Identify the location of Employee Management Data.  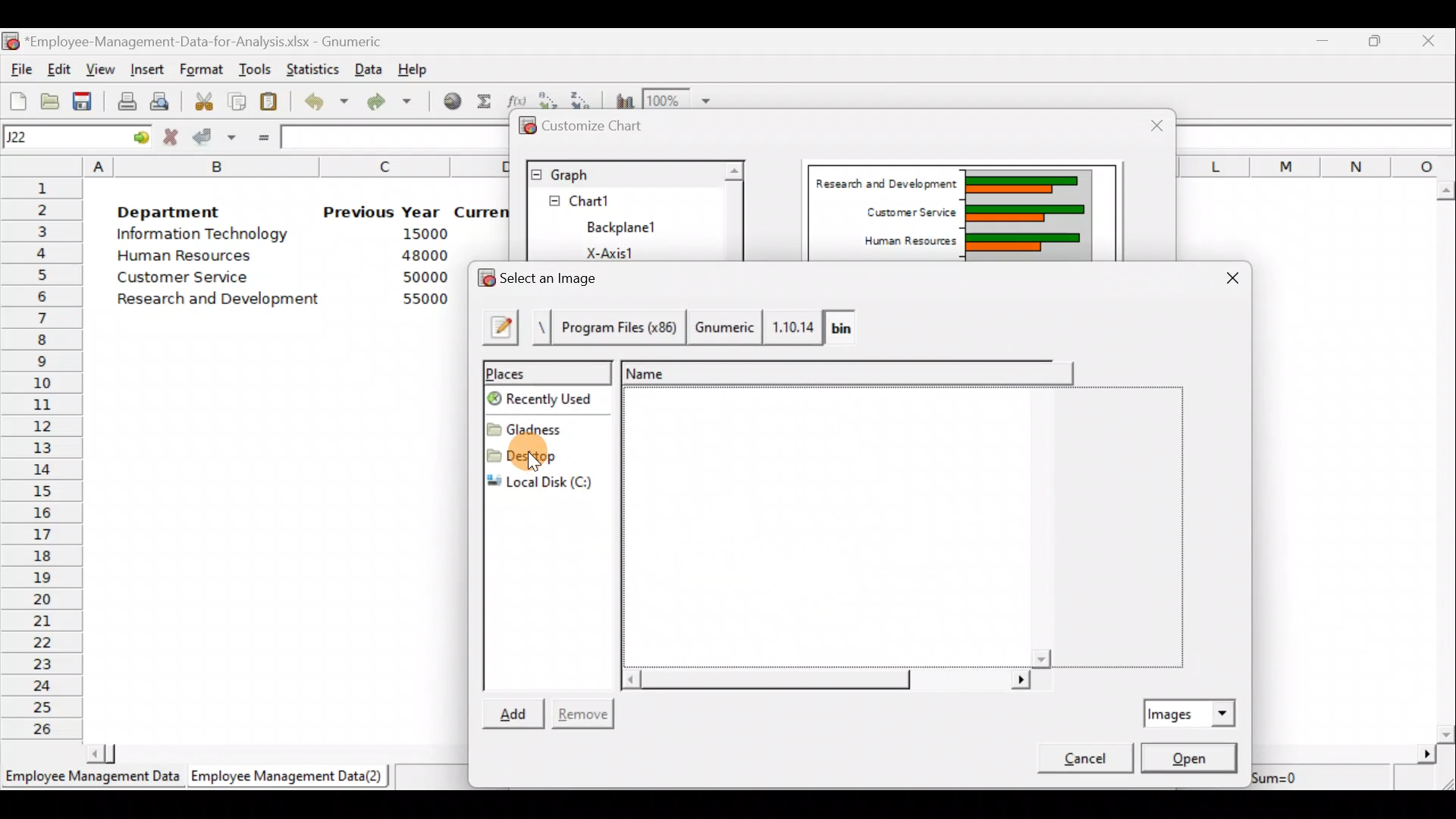
(90, 778).